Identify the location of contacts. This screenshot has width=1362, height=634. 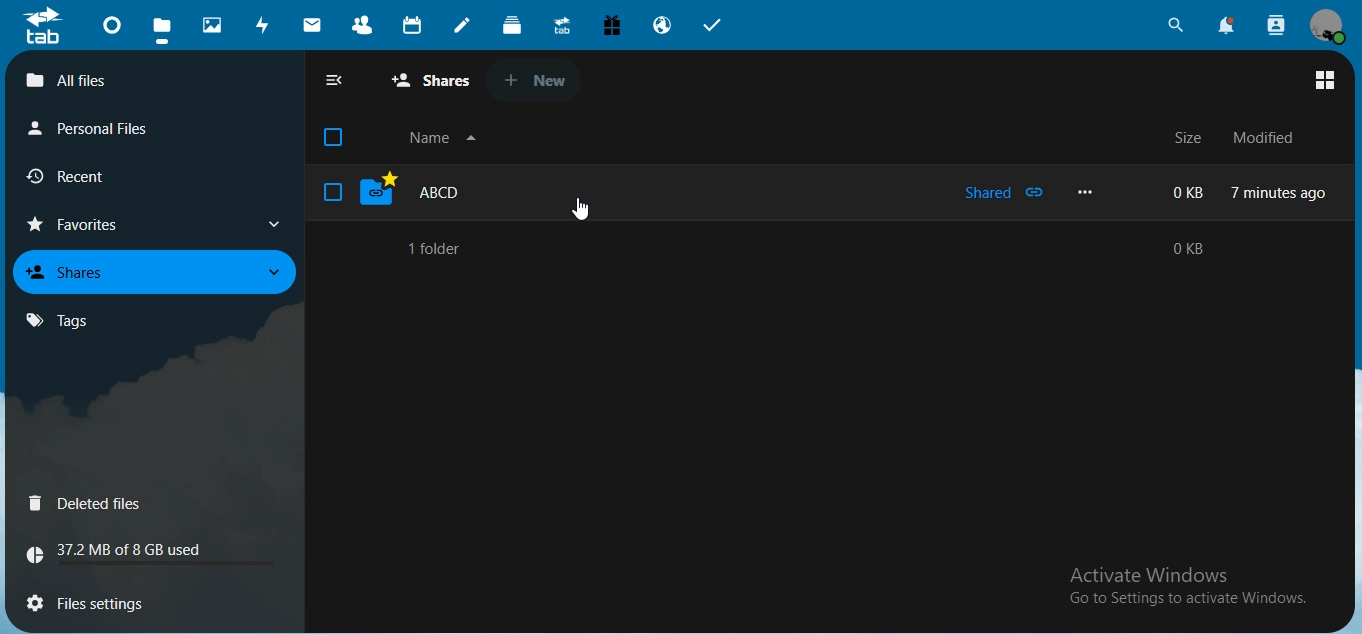
(363, 27).